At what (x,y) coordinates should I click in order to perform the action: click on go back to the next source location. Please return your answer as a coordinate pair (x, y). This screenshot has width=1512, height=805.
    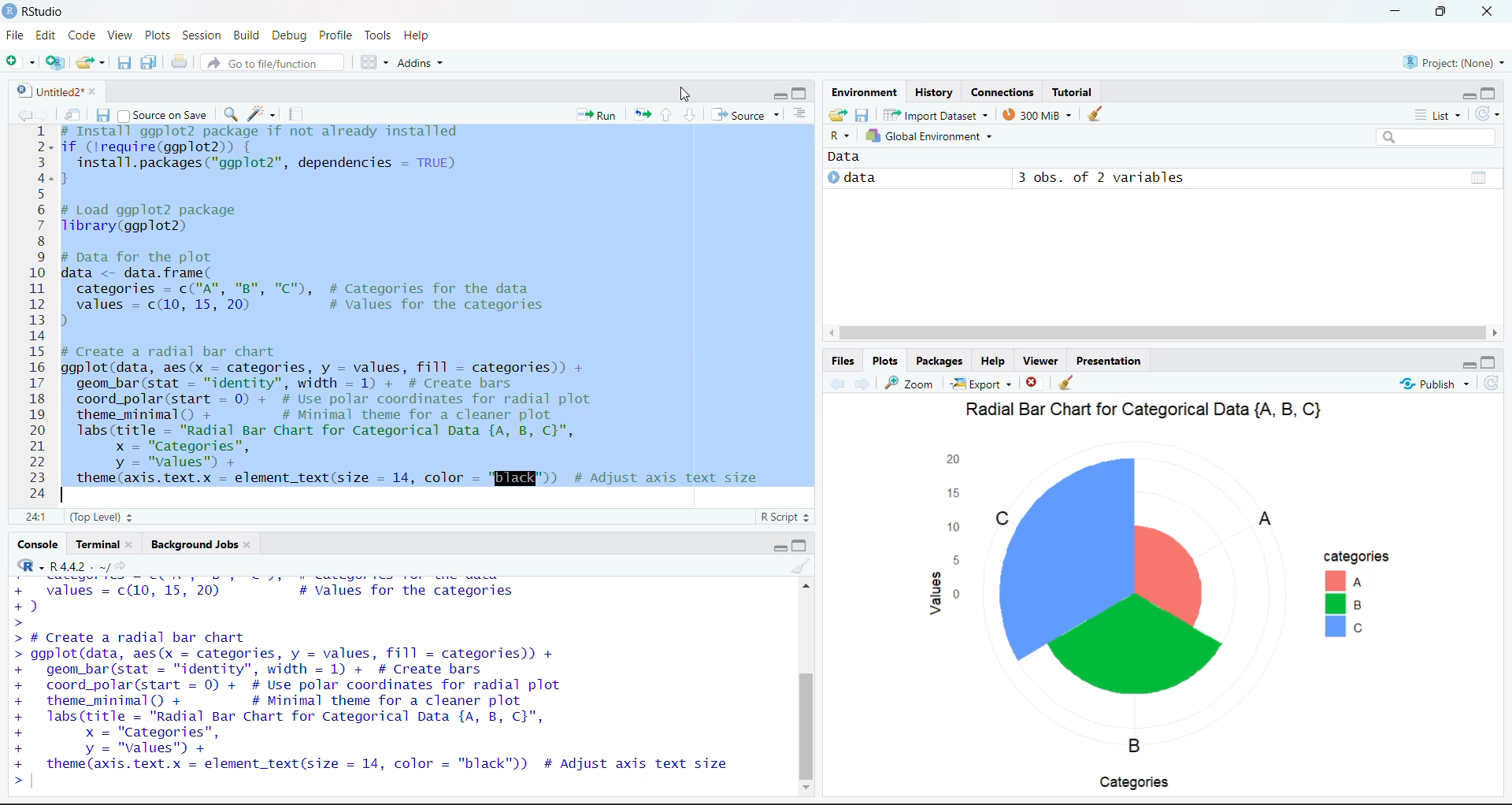
    Looking at the image, I should click on (45, 112).